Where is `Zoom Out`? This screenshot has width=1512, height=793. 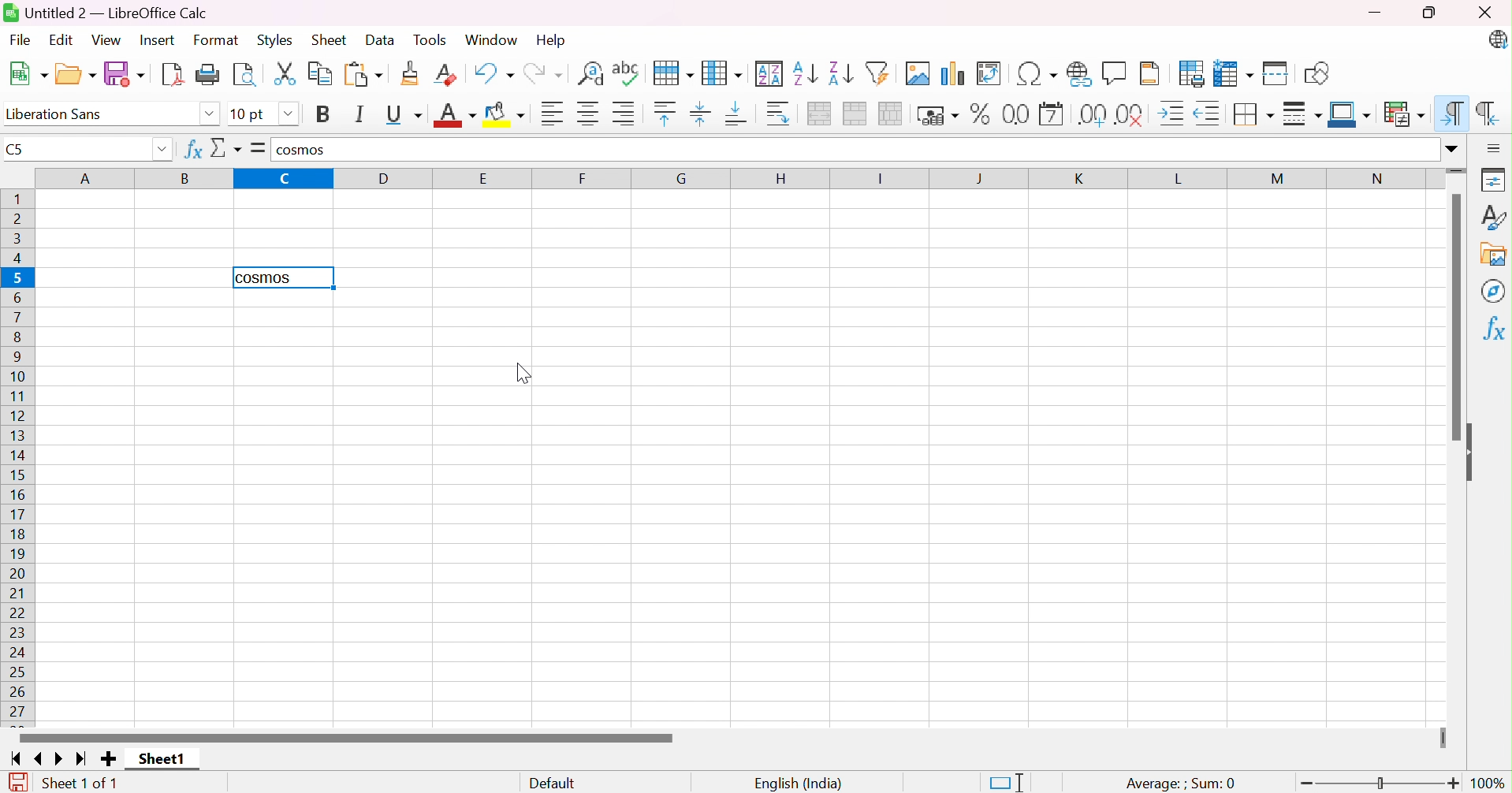 Zoom Out is located at coordinates (1303, 785).